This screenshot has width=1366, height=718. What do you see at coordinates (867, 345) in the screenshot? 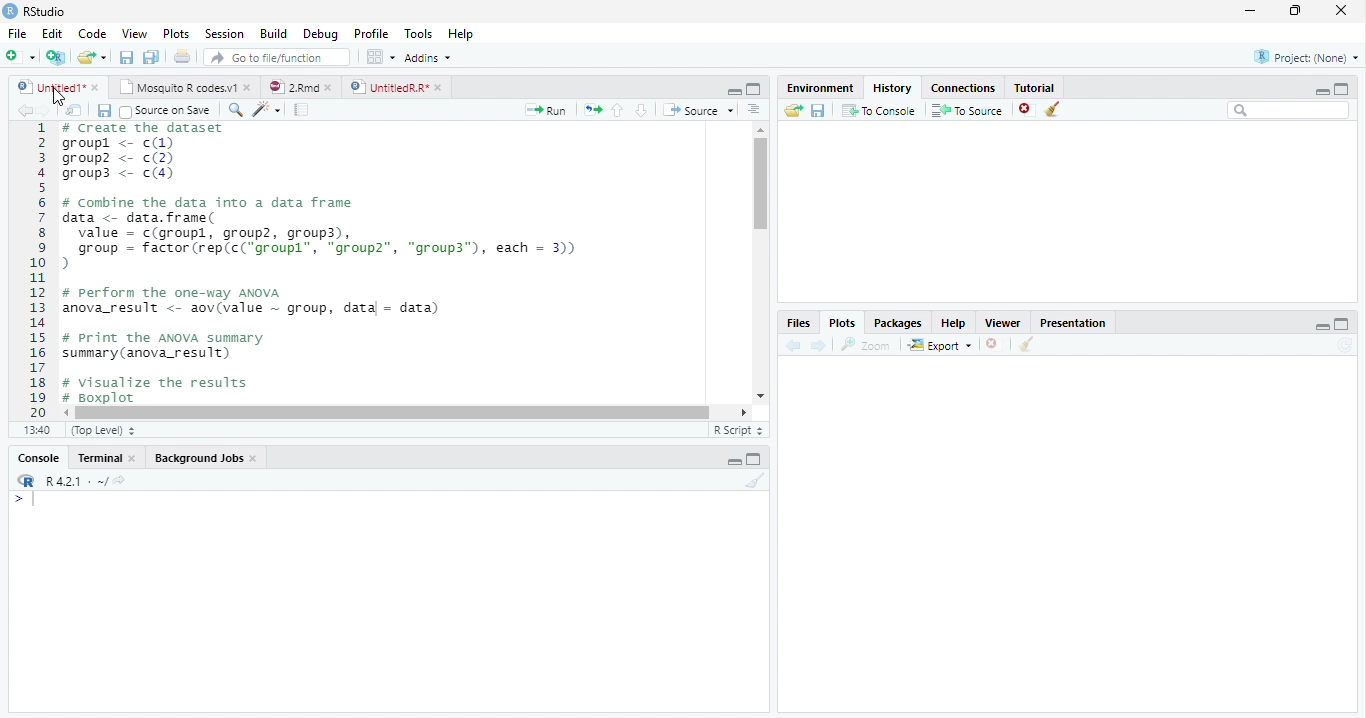
I see `Zoom` at bounding box center [867, 345].